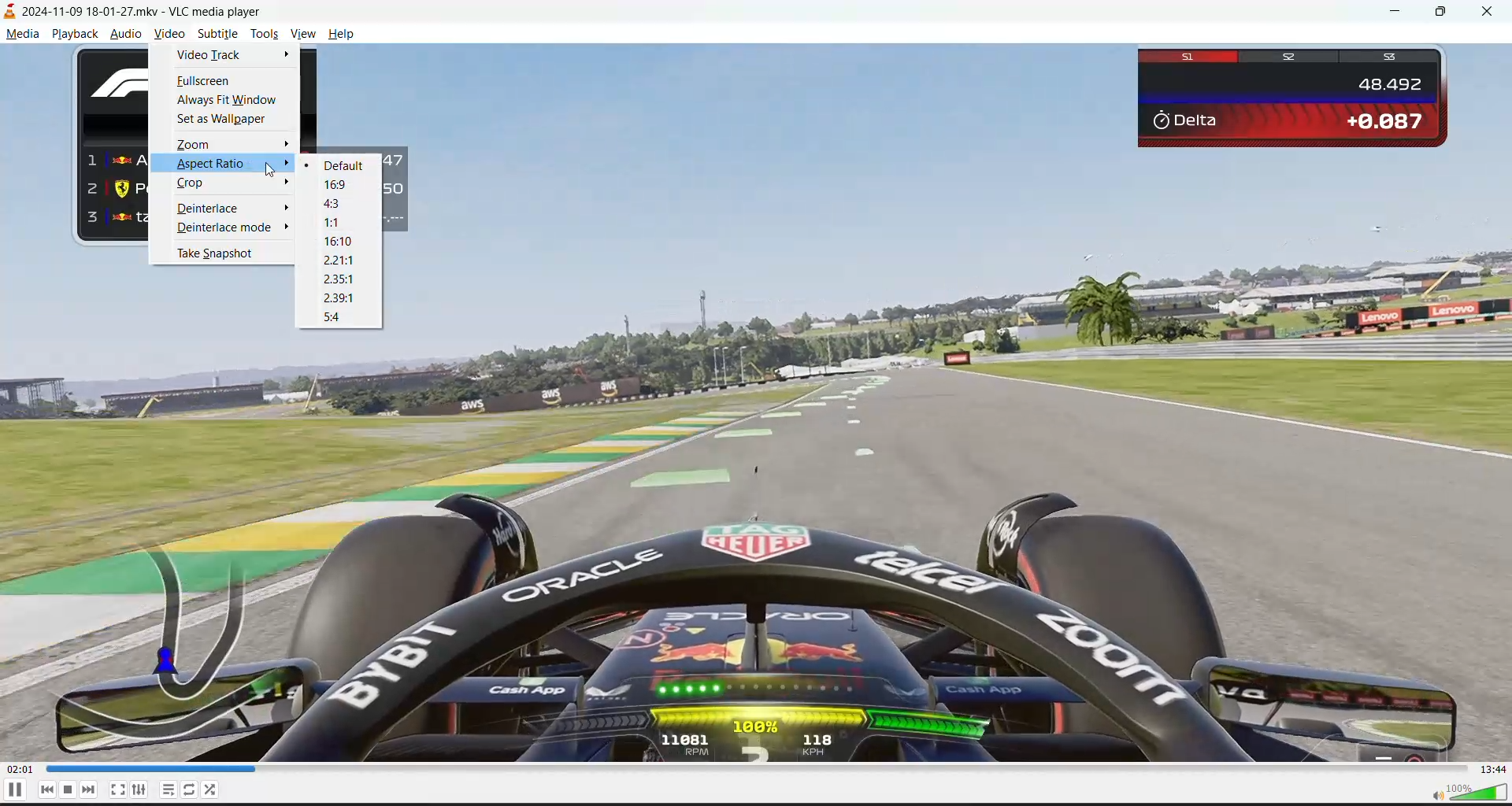  What do you see at coordinates (218, 35) in the screenshot?
I see `subtitle` at bounding box center [218, 35].